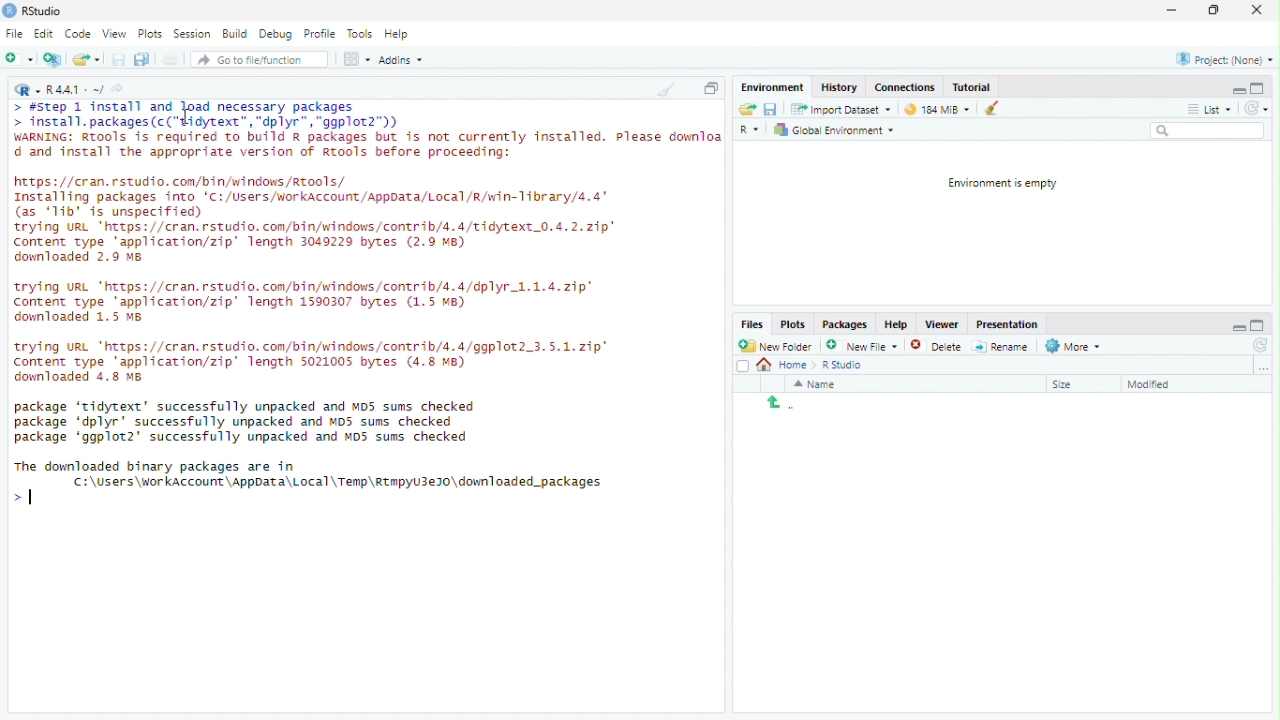 Image resolution: width=1280 pixels, height=720 pixels. I want to click on RStudio, so click(33, 11).